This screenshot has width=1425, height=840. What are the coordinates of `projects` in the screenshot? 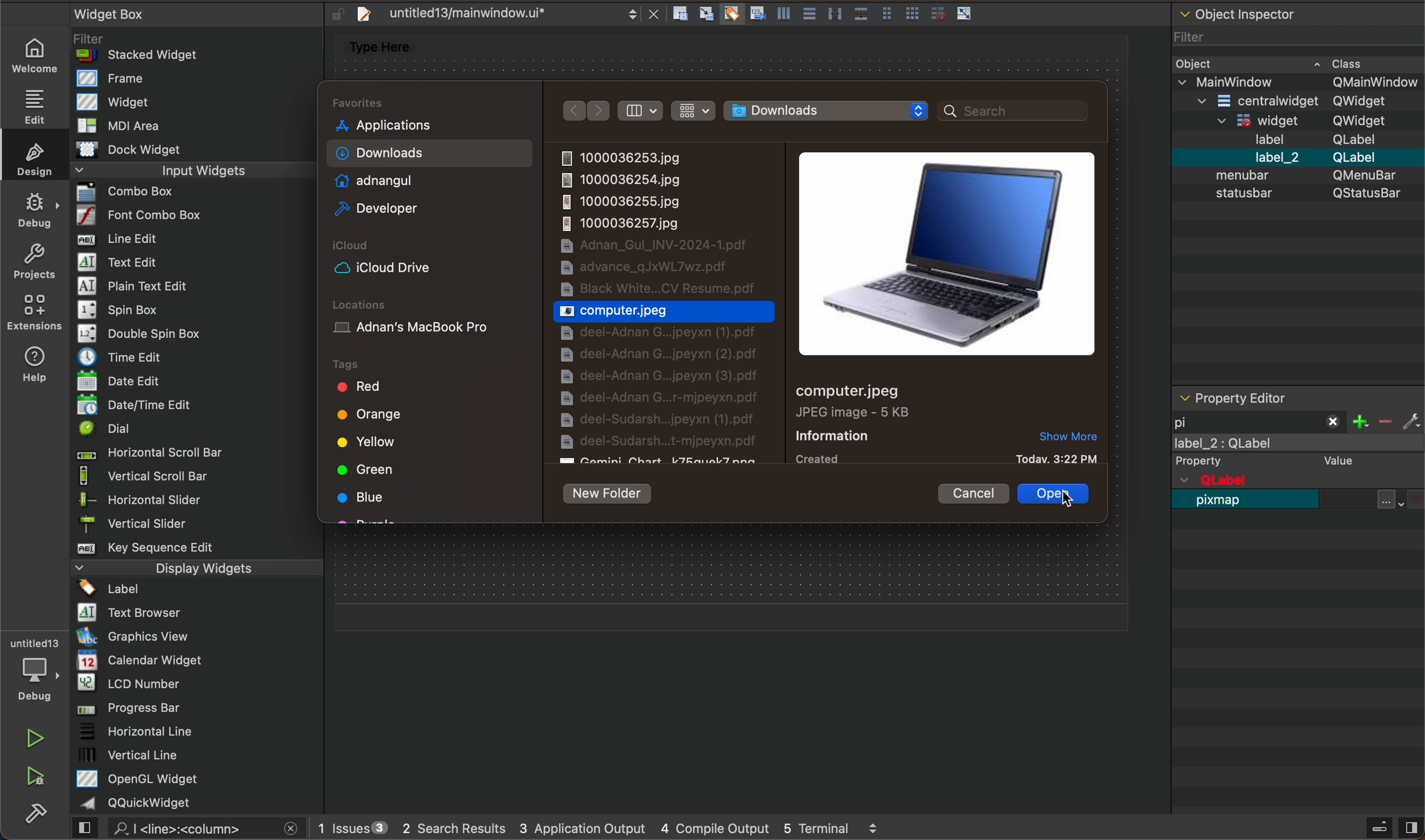 It's located at (33, 259).